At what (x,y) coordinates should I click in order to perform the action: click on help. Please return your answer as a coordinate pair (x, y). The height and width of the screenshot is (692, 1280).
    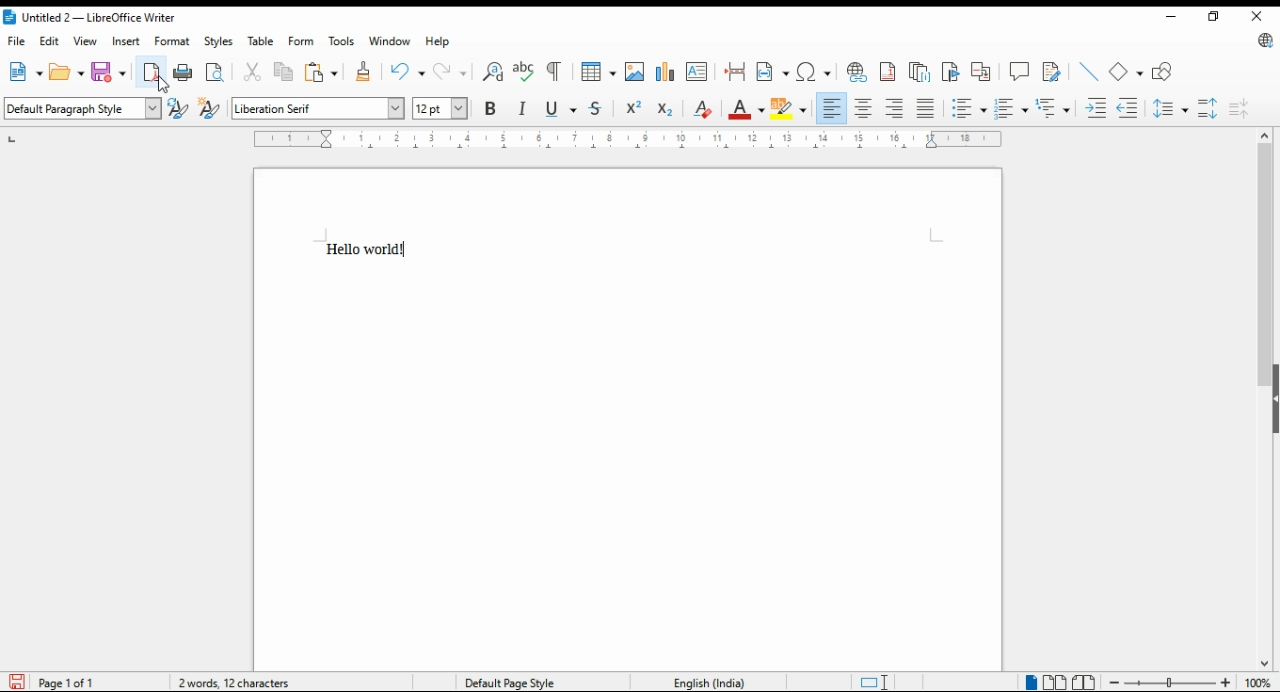
    Looking at the image, I should click on (439, 43).